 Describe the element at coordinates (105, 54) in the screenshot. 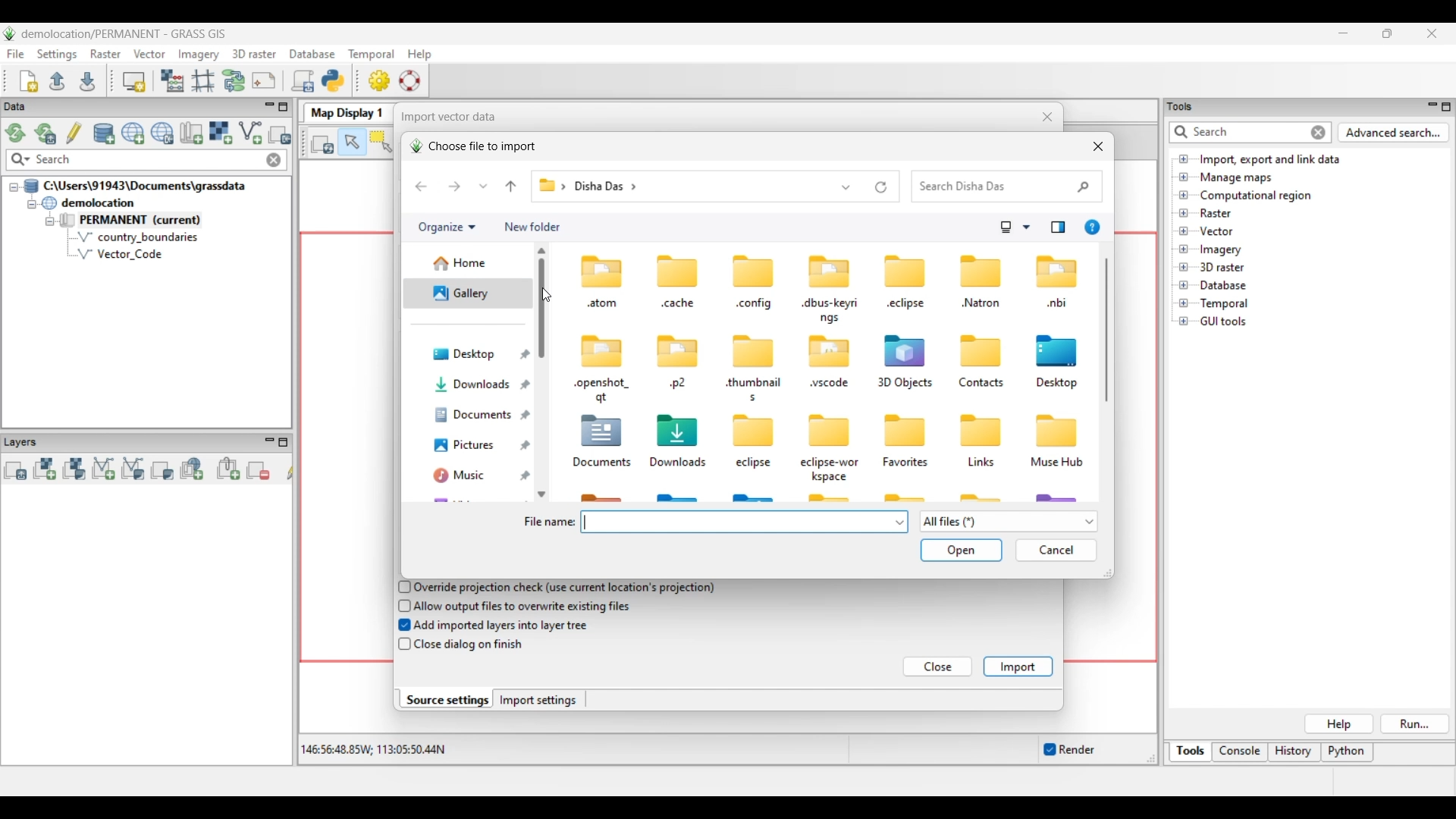

I see `Raster menu` at that location.